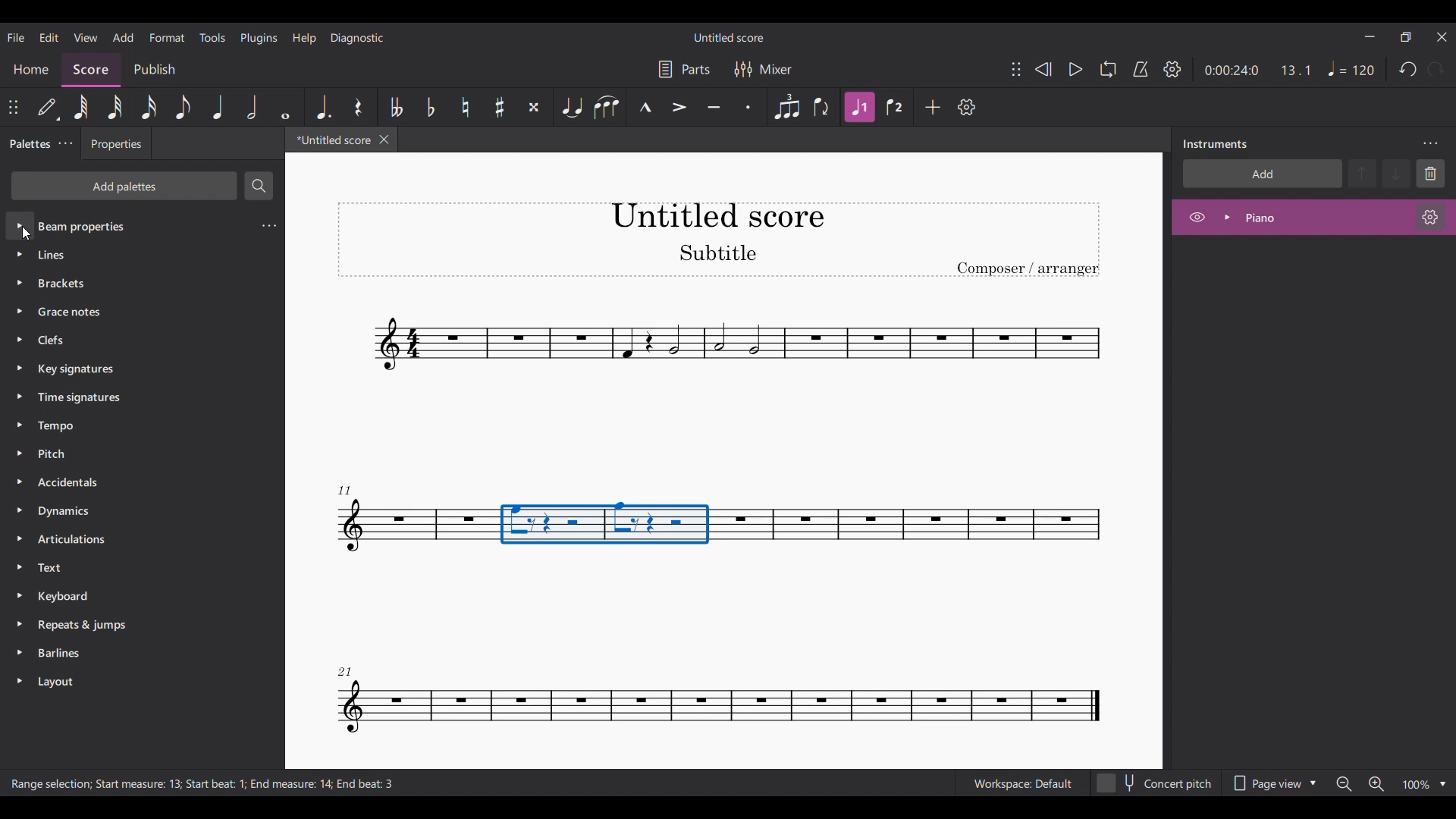 The width and height of the screenshot is (1456, 819). Describe the element at coordinates (116, 147) in the screenshot. I see `Properties panel` at that location.